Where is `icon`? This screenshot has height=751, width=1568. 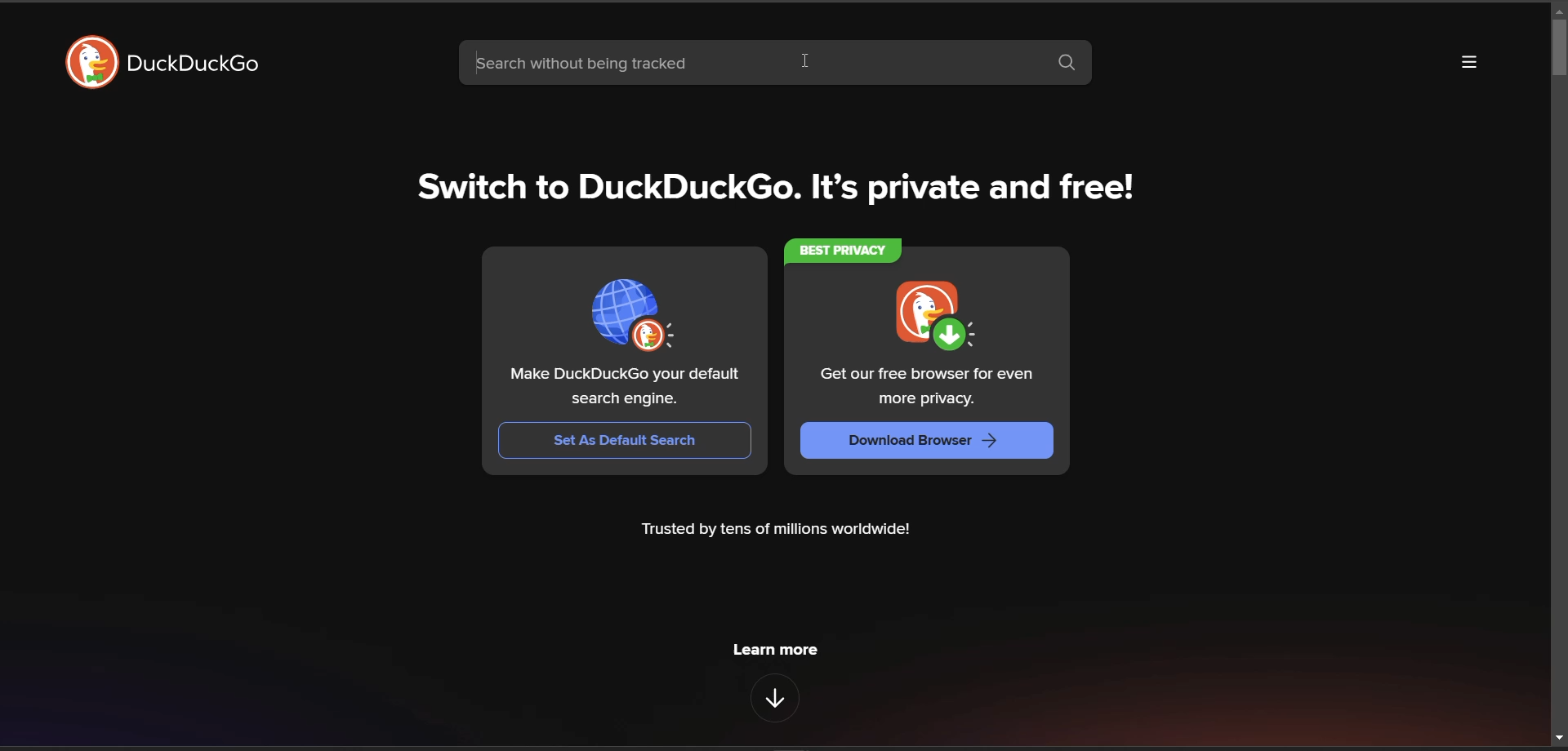 icon is located at coordinates (630, 318).